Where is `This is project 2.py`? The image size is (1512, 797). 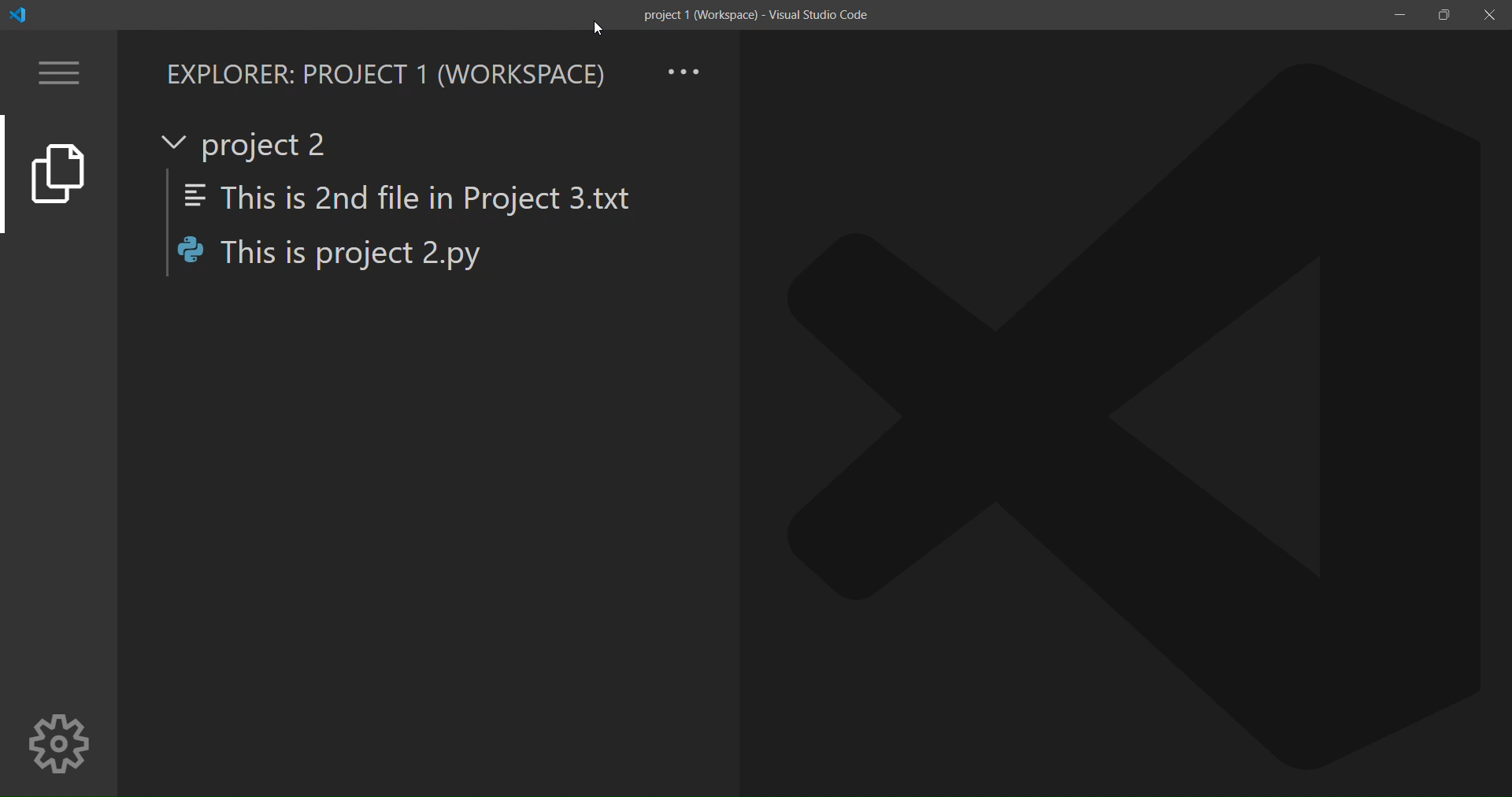 This is project 2.py is located at coordinates (346, 255).